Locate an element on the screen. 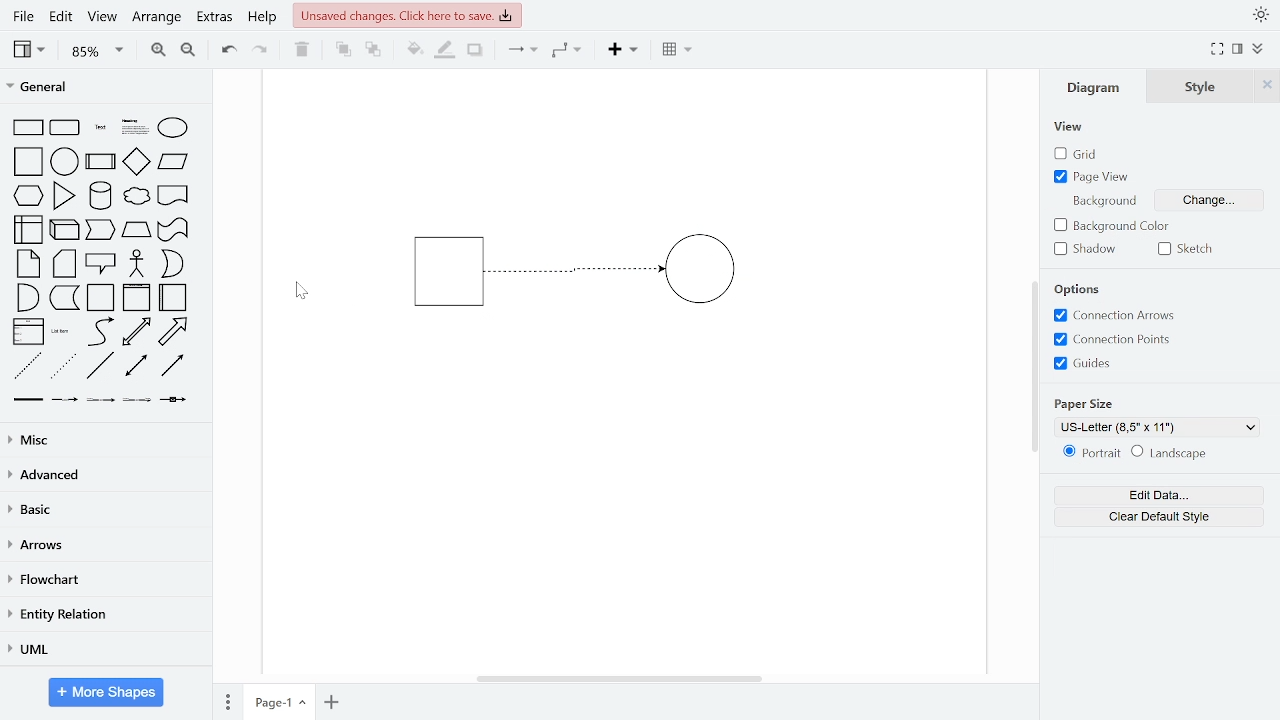  dashed line is located at coordinates (28, 367).